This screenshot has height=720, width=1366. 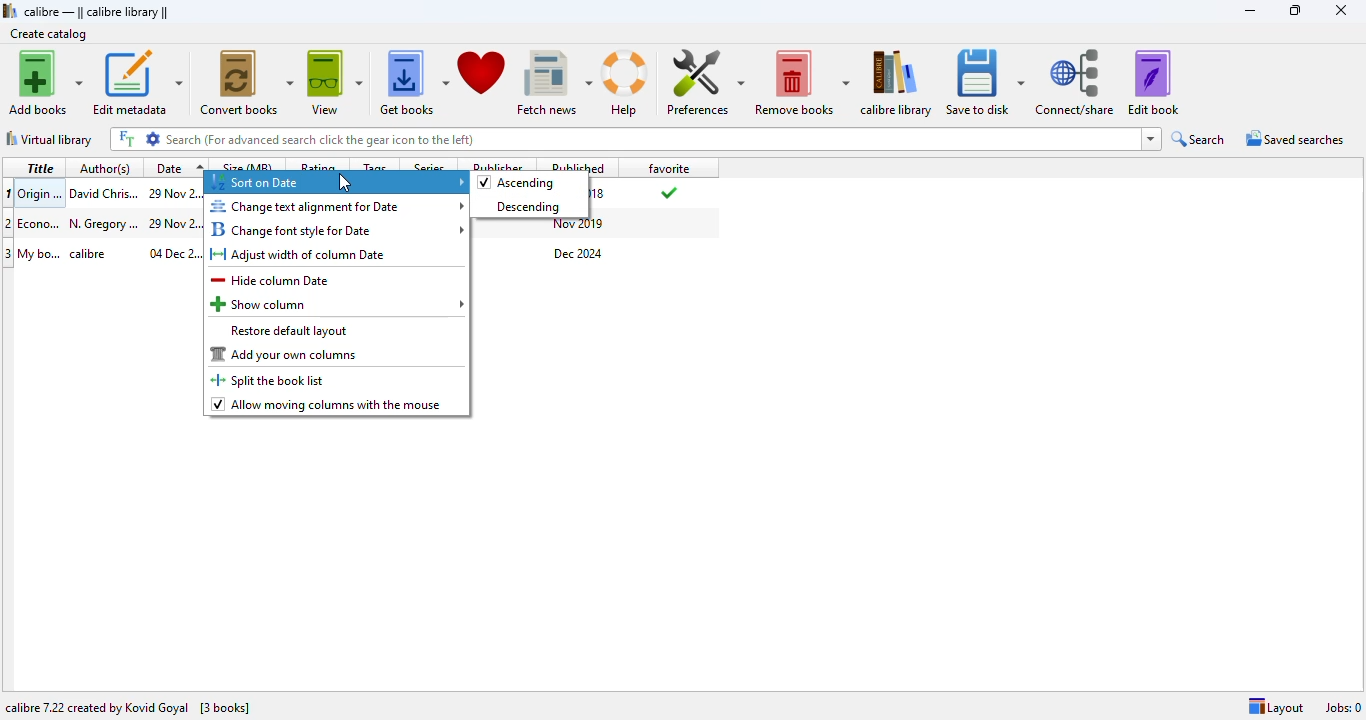 What do you see at coordinates (581, 165) in the screenshot?
I see `published` at bounding box center [581, 165].